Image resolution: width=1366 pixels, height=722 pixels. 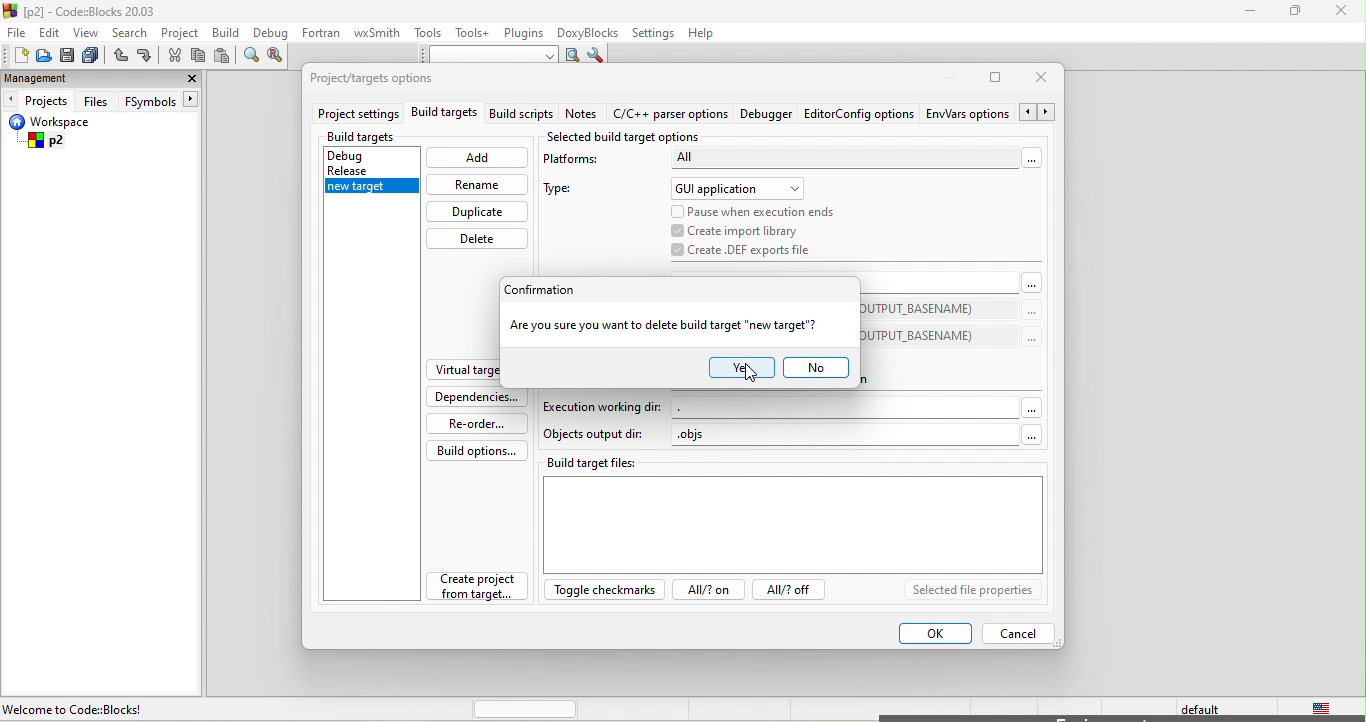 What do you see at coordinates (596, 436) in the screenshot?
I see `objects output dir` at bounding box center [596, 436].